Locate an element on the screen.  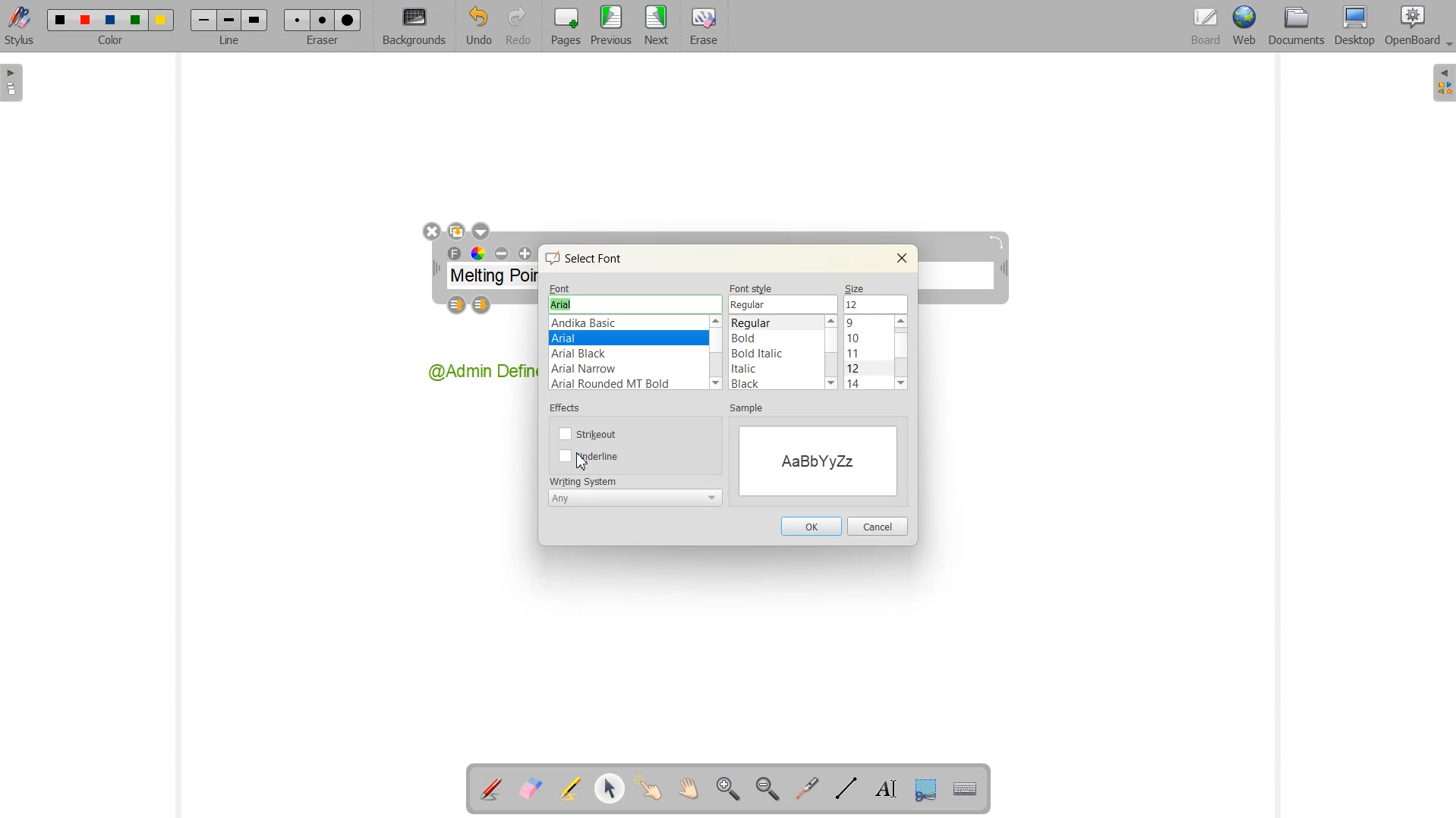
Minimize text size is located at coordinates (503, 254).